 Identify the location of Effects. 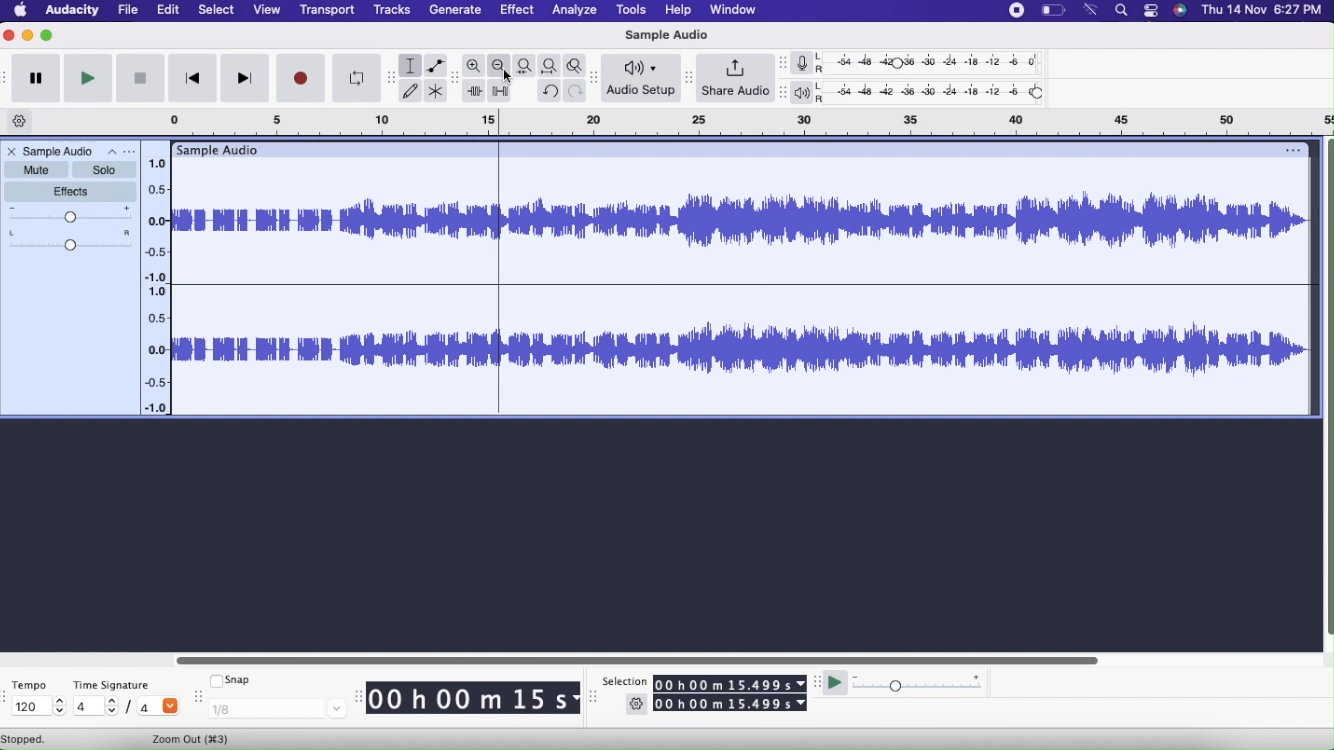
(72, 192).